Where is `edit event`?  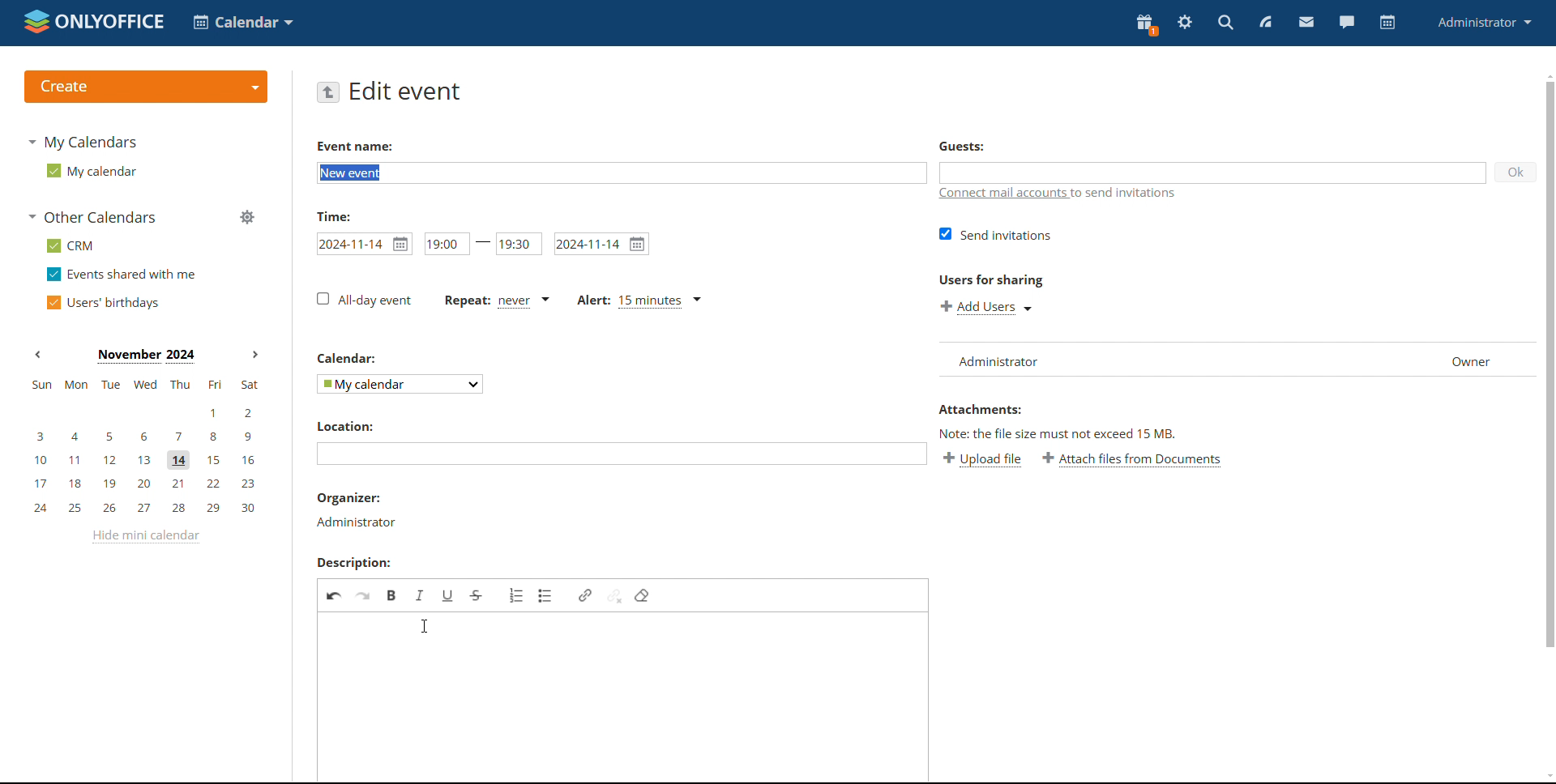 edit event is located at coordinates (407, 92).